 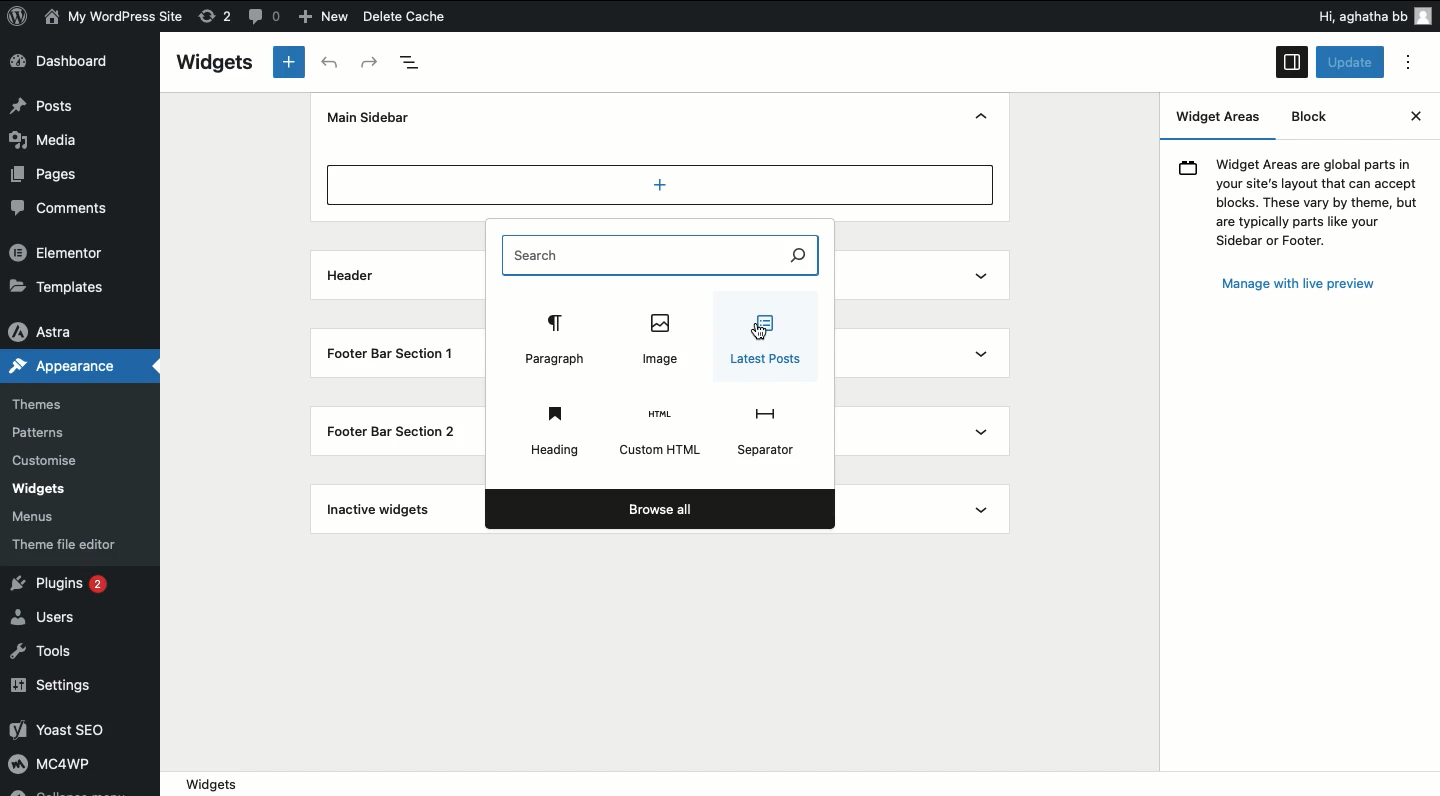 What do you see at coordinates (768, 434) in the screenshot?
I see `Separator` at bounding box center [768, 434].